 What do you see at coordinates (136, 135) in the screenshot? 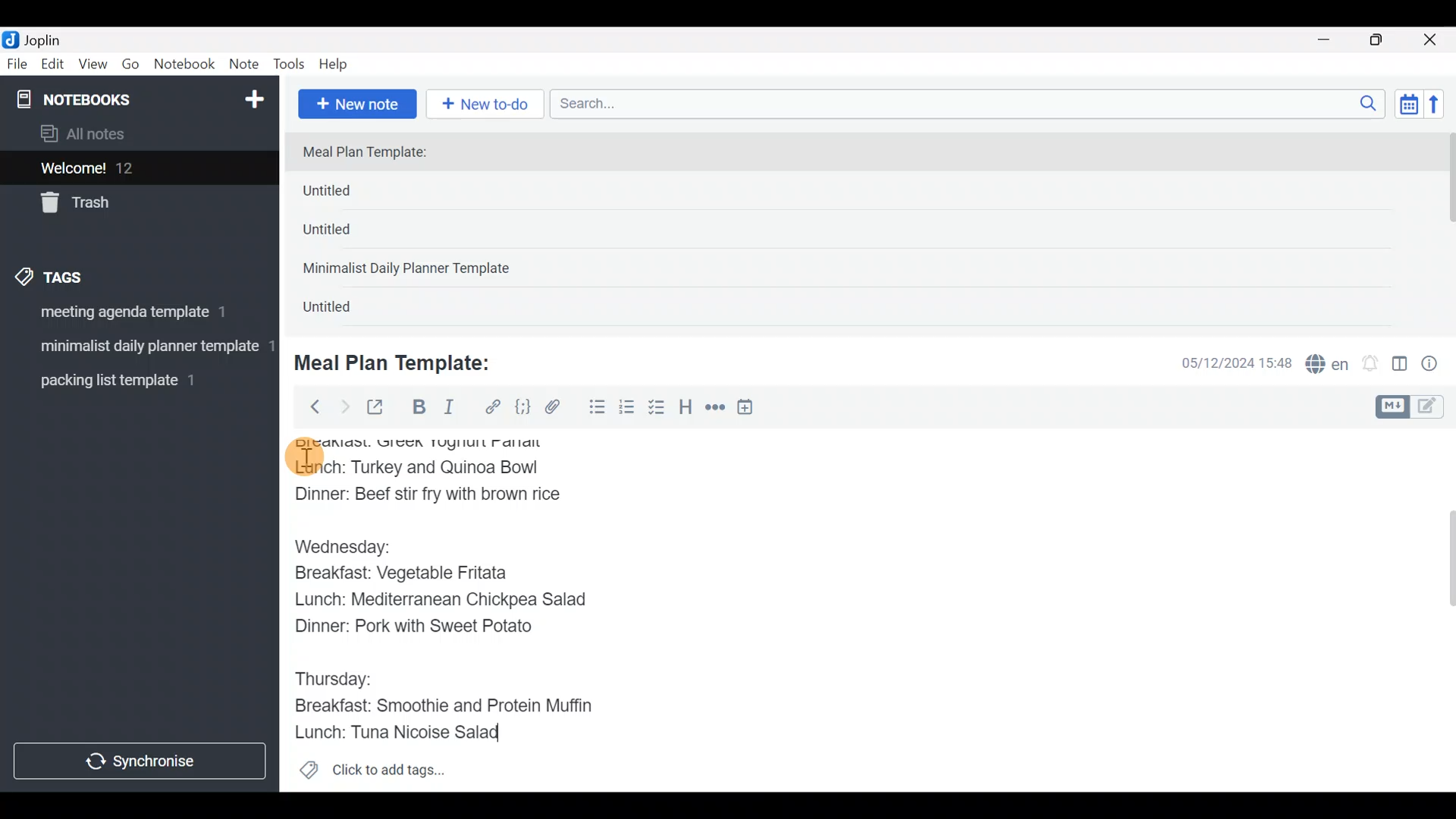
I see `All notes` at bounding box center [136, 135].